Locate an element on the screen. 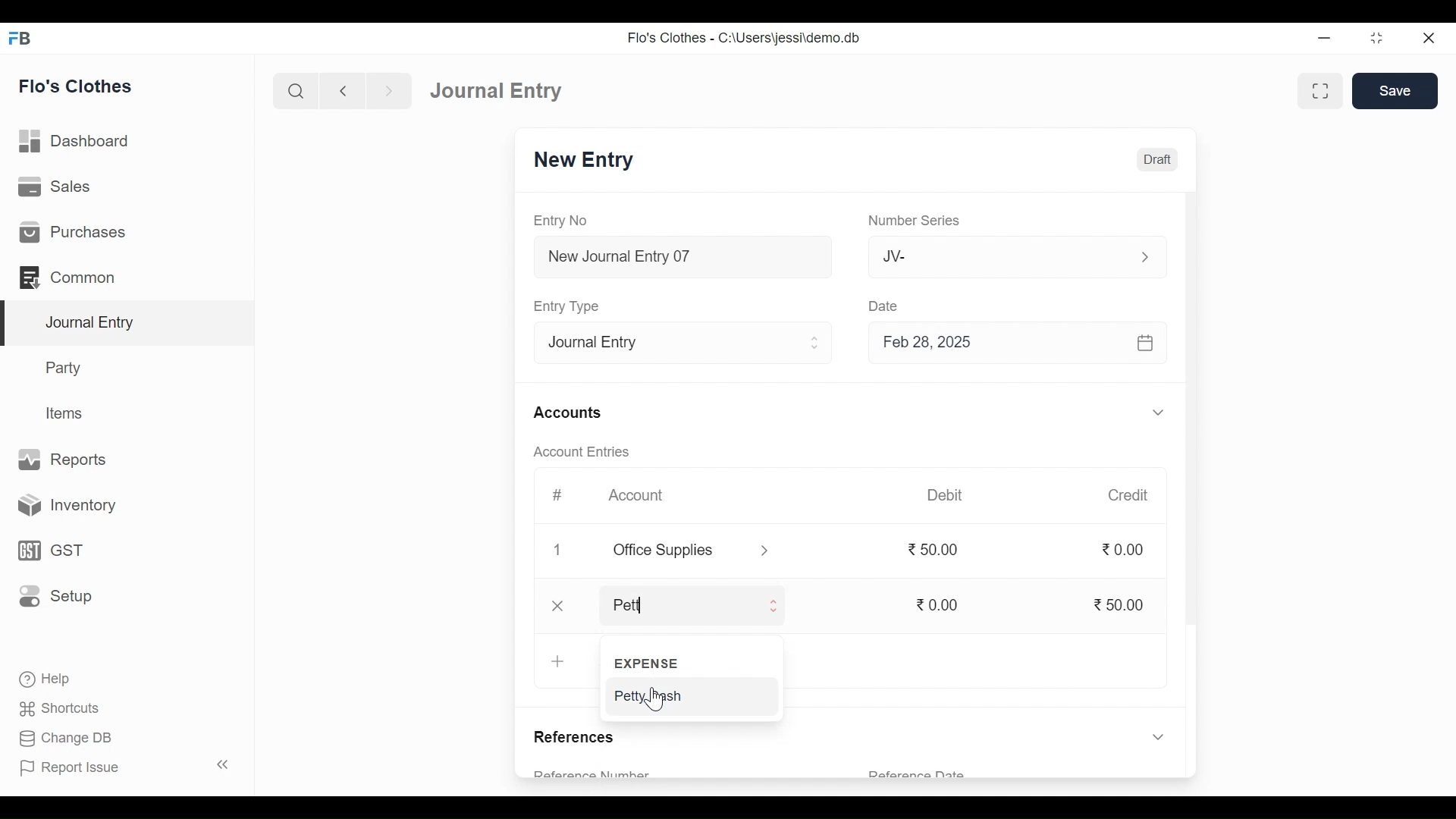 This screenshot has width=1456, height=819. Accounts is located at coordinates (567, 413).